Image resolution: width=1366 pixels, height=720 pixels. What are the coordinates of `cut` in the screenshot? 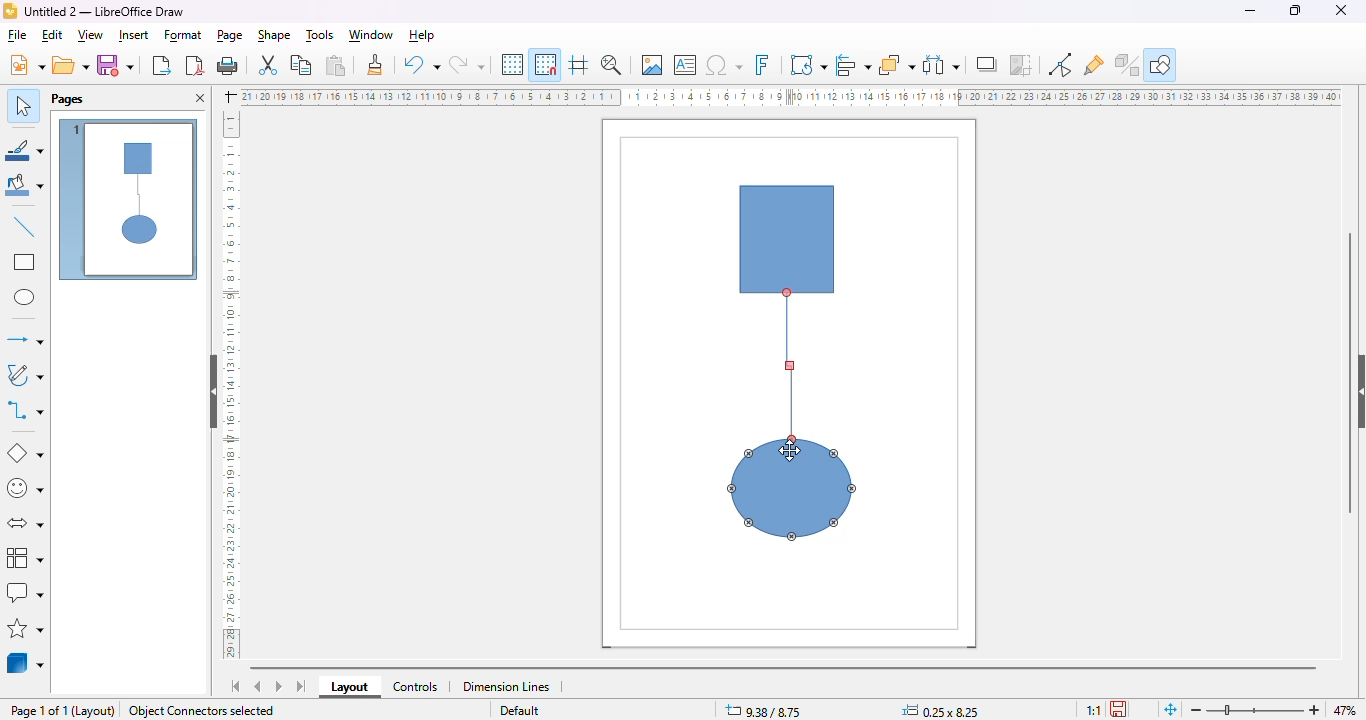 It's located at (268, 65).